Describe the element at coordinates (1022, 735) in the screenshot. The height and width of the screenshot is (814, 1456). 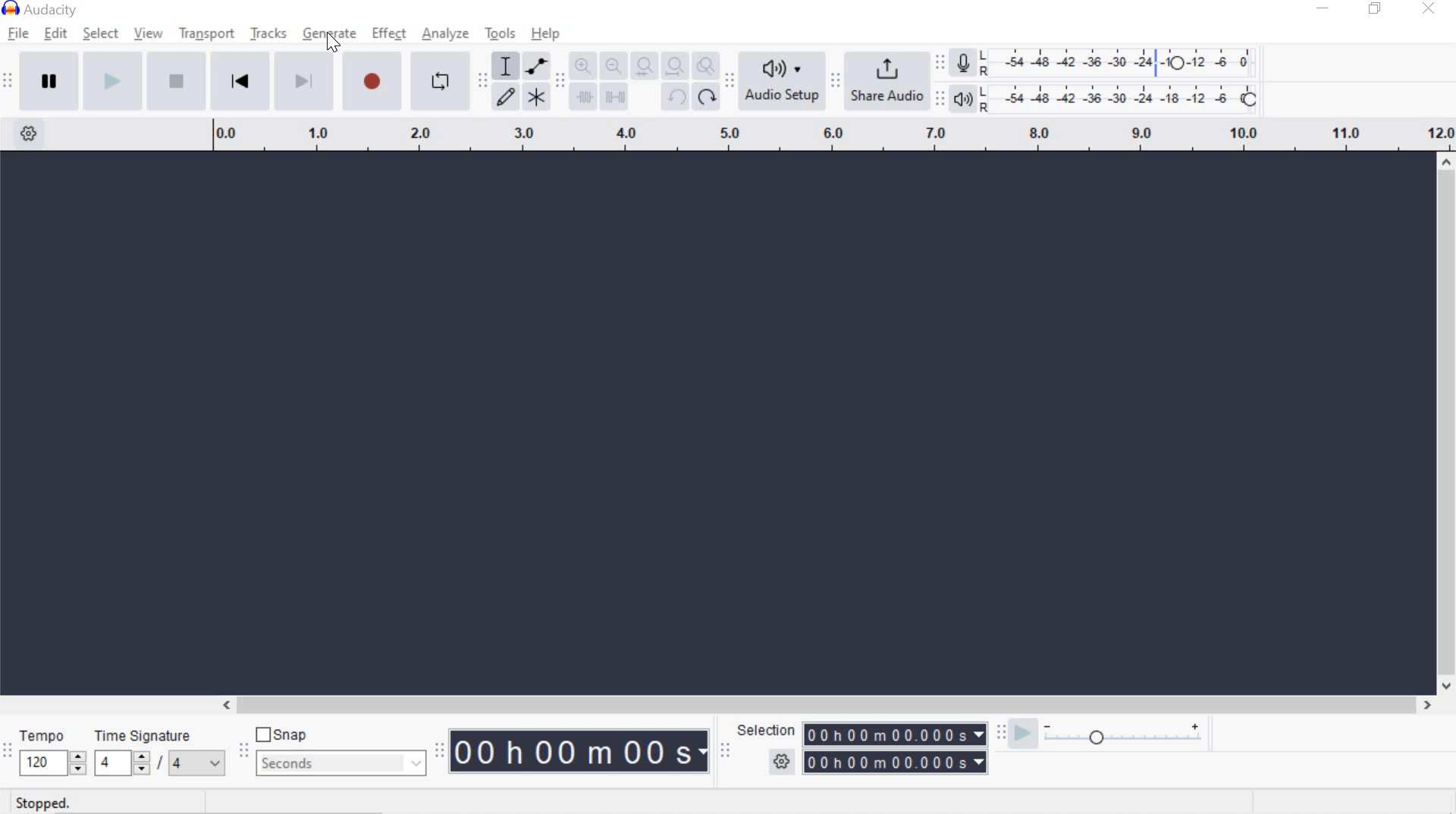
I see `Play-at-speed` at that location.